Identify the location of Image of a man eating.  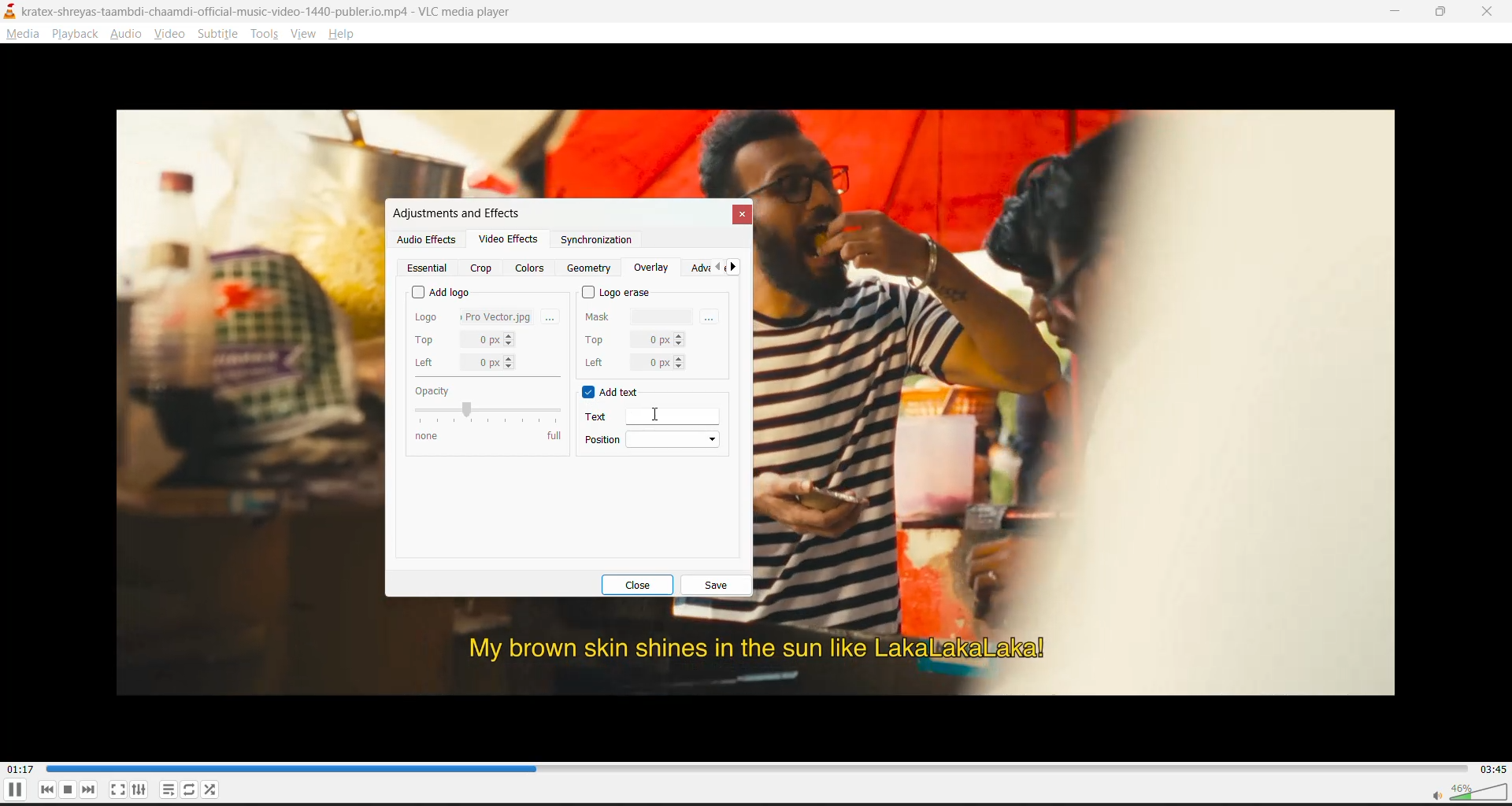
(1085, 367).